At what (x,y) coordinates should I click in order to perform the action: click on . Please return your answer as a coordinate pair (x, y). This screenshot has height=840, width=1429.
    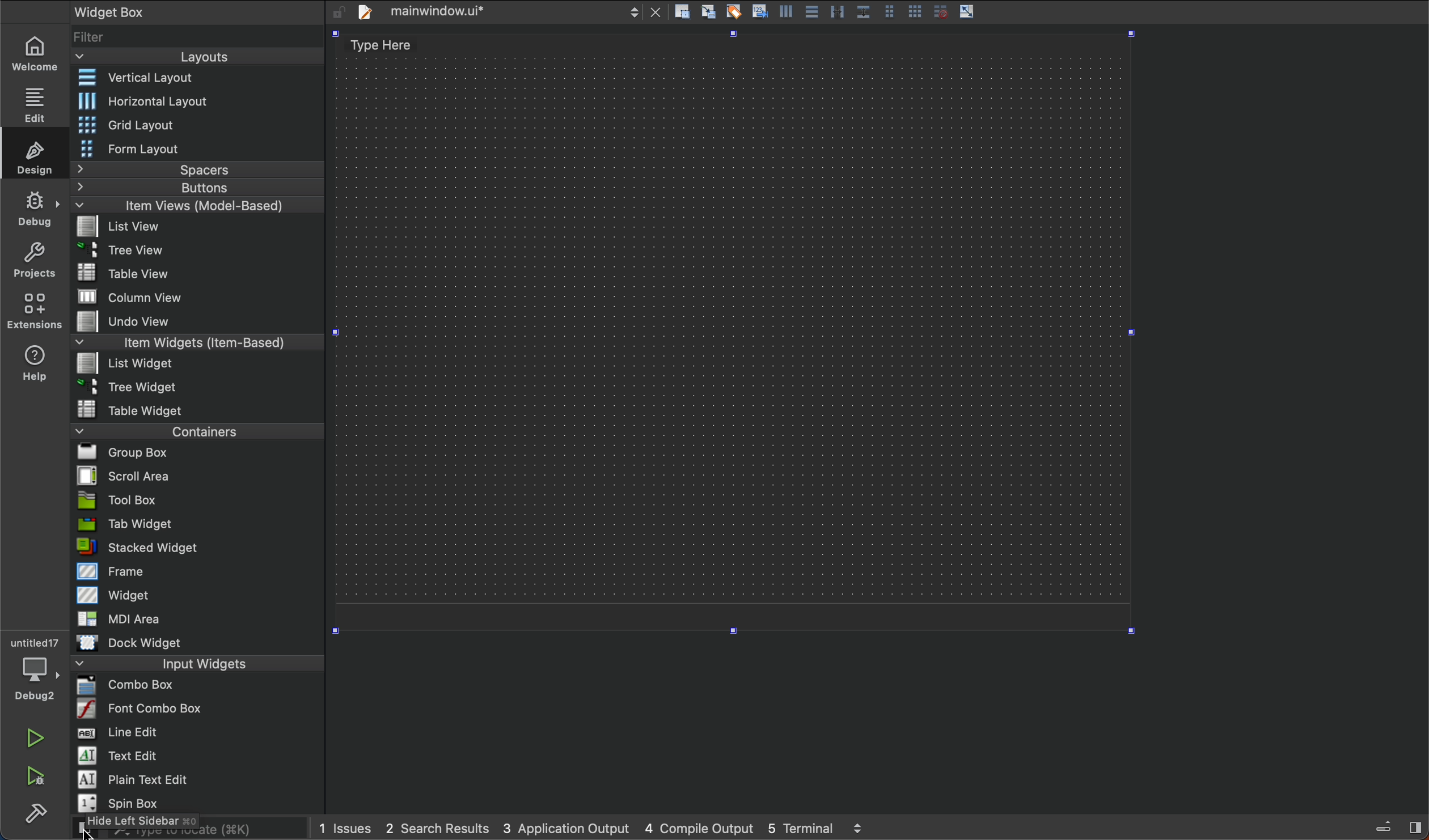
    Looking at the image, I should click on (835, 11).